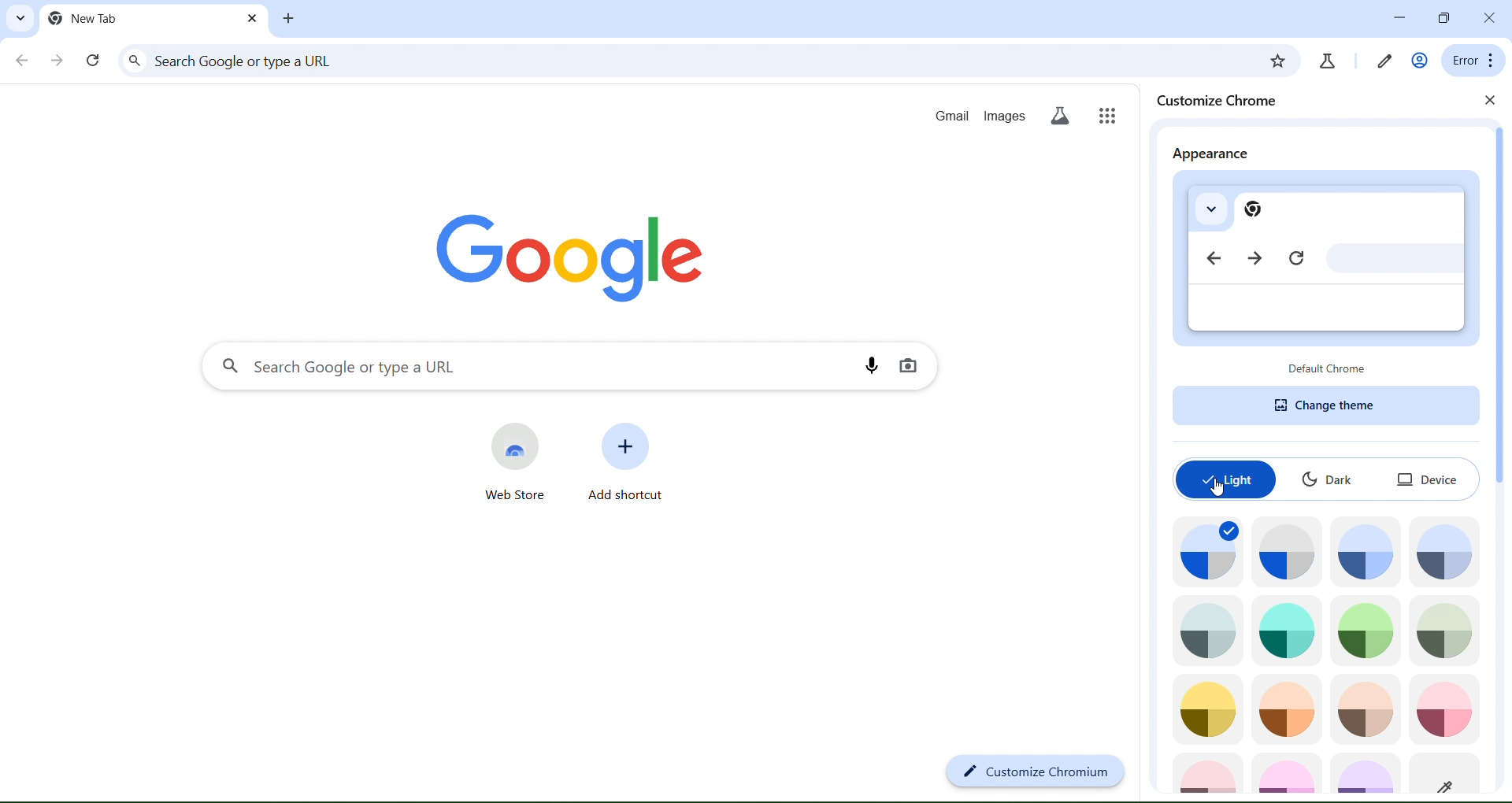 This screenshot has width=1512, height=803. What do you see at coordinates (1325, 263) in the screenshot?
I see `appearance preview` at bounding box center [1325, 263].